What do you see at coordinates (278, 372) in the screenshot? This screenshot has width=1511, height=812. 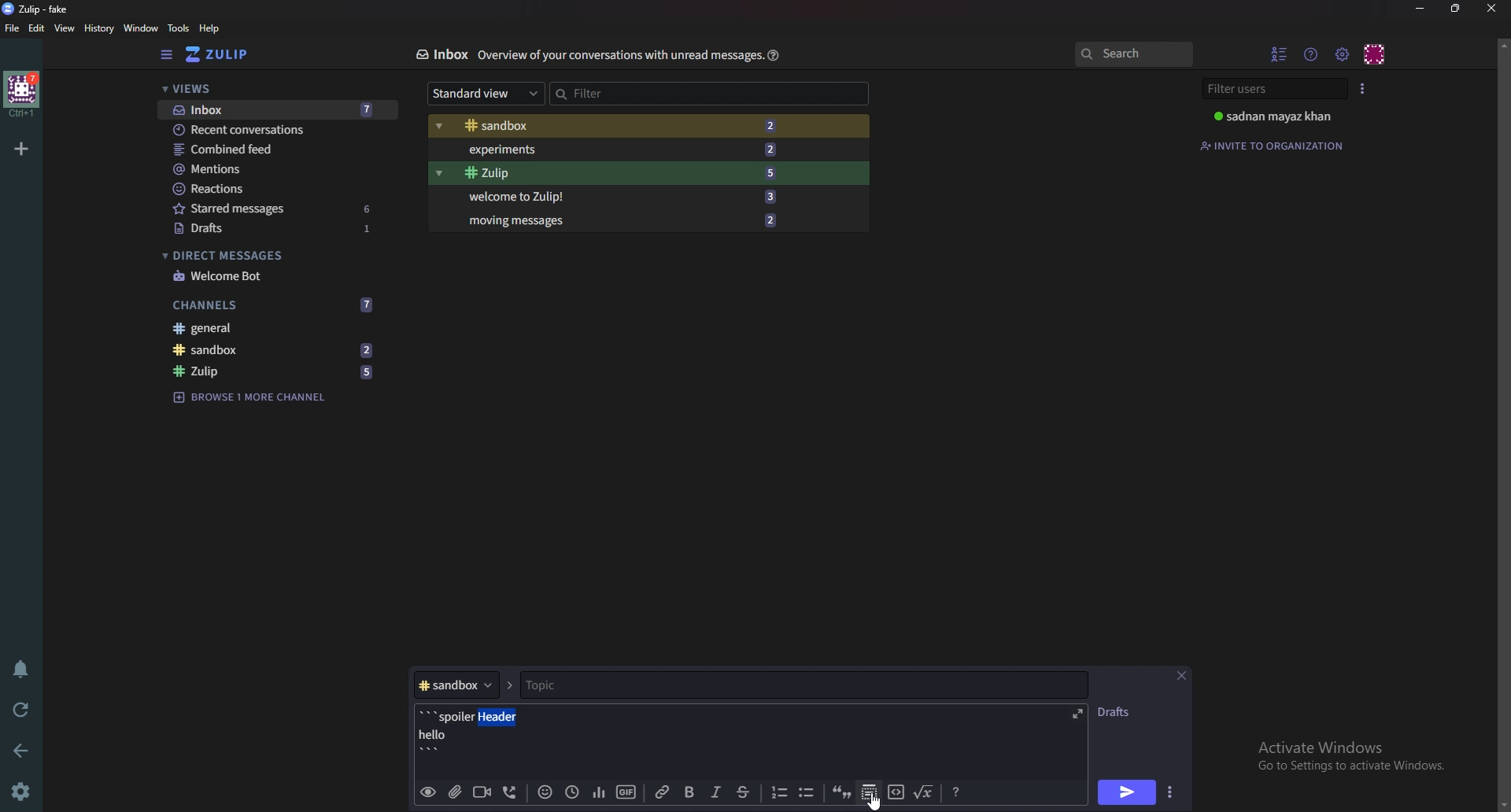 I see `#zulip 5` at bounding box center [278, 372].